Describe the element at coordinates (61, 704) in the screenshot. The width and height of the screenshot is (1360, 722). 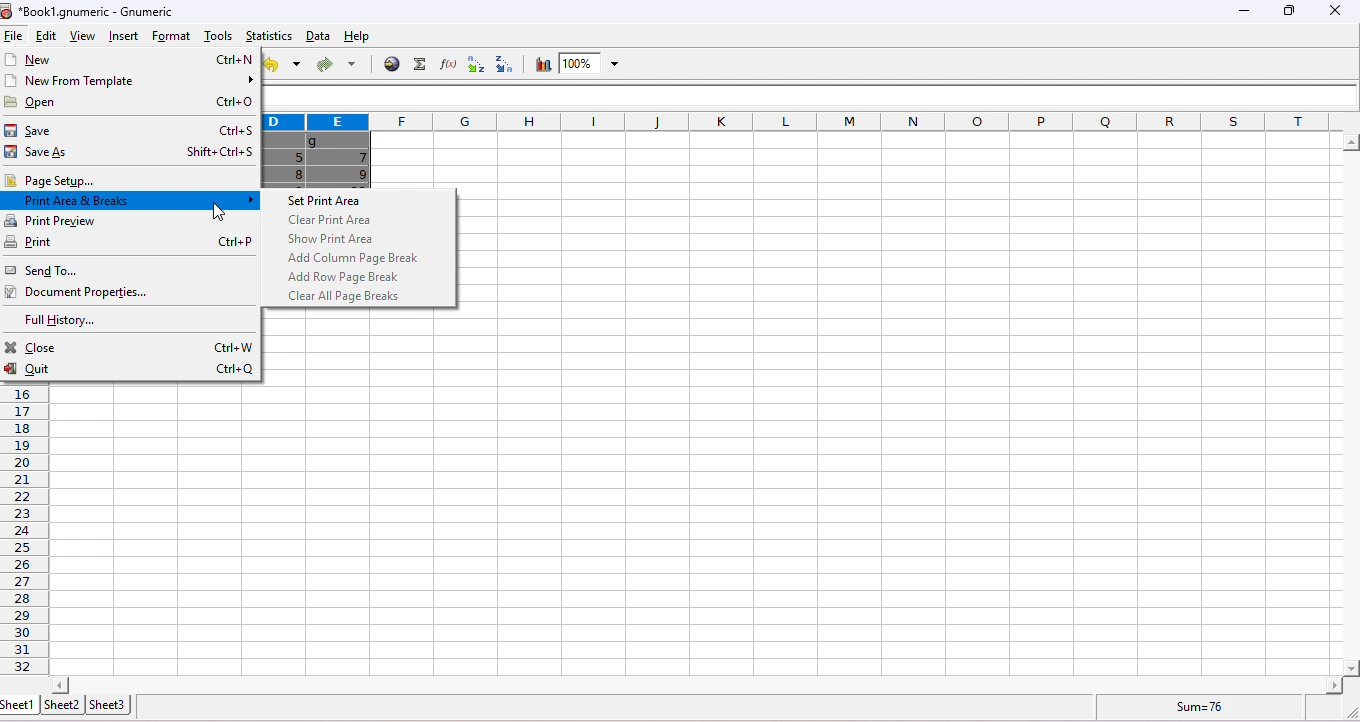
I see `sheet2` at that location.